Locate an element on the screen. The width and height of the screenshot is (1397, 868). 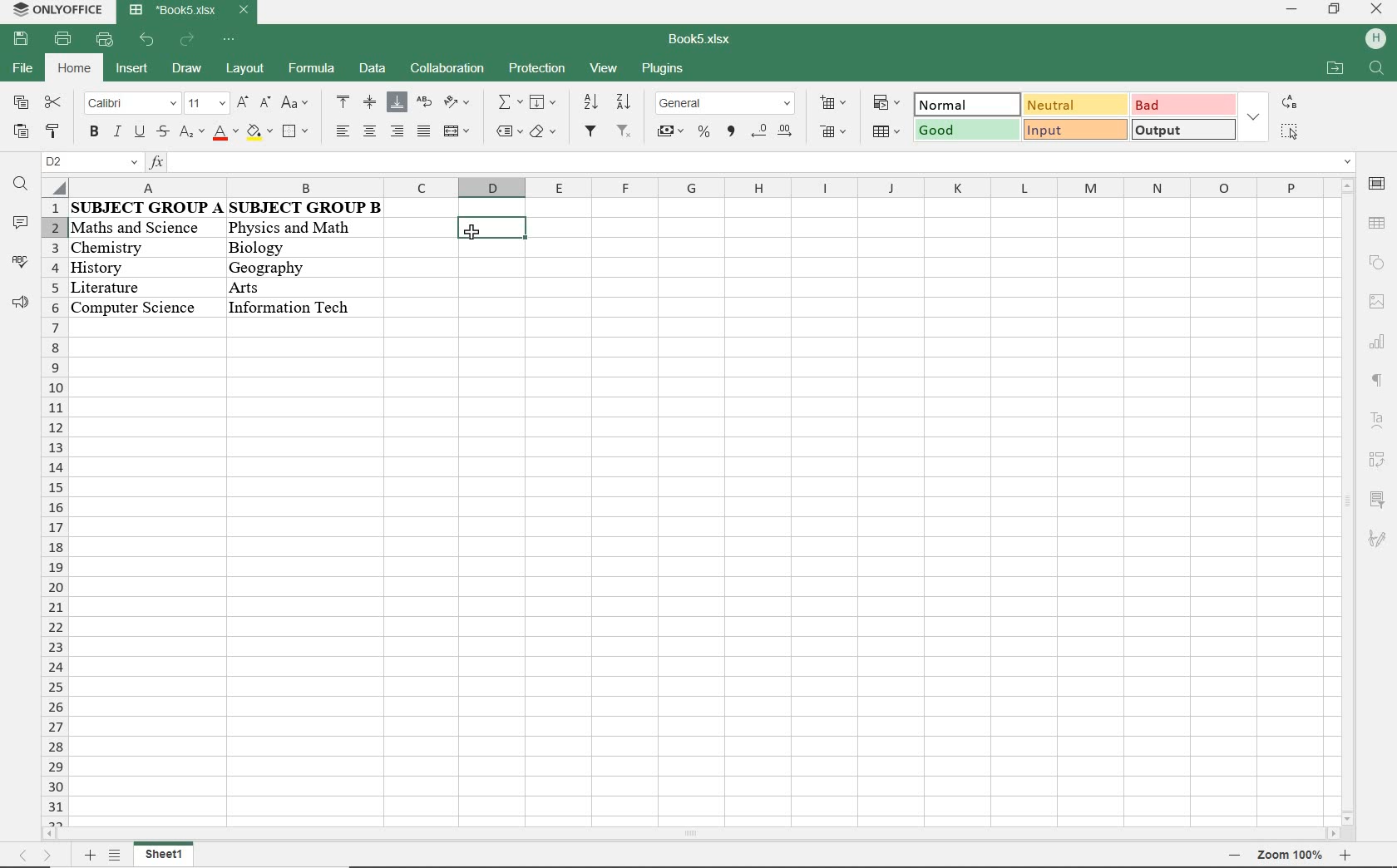
underline is located at coordinates (138, 134).